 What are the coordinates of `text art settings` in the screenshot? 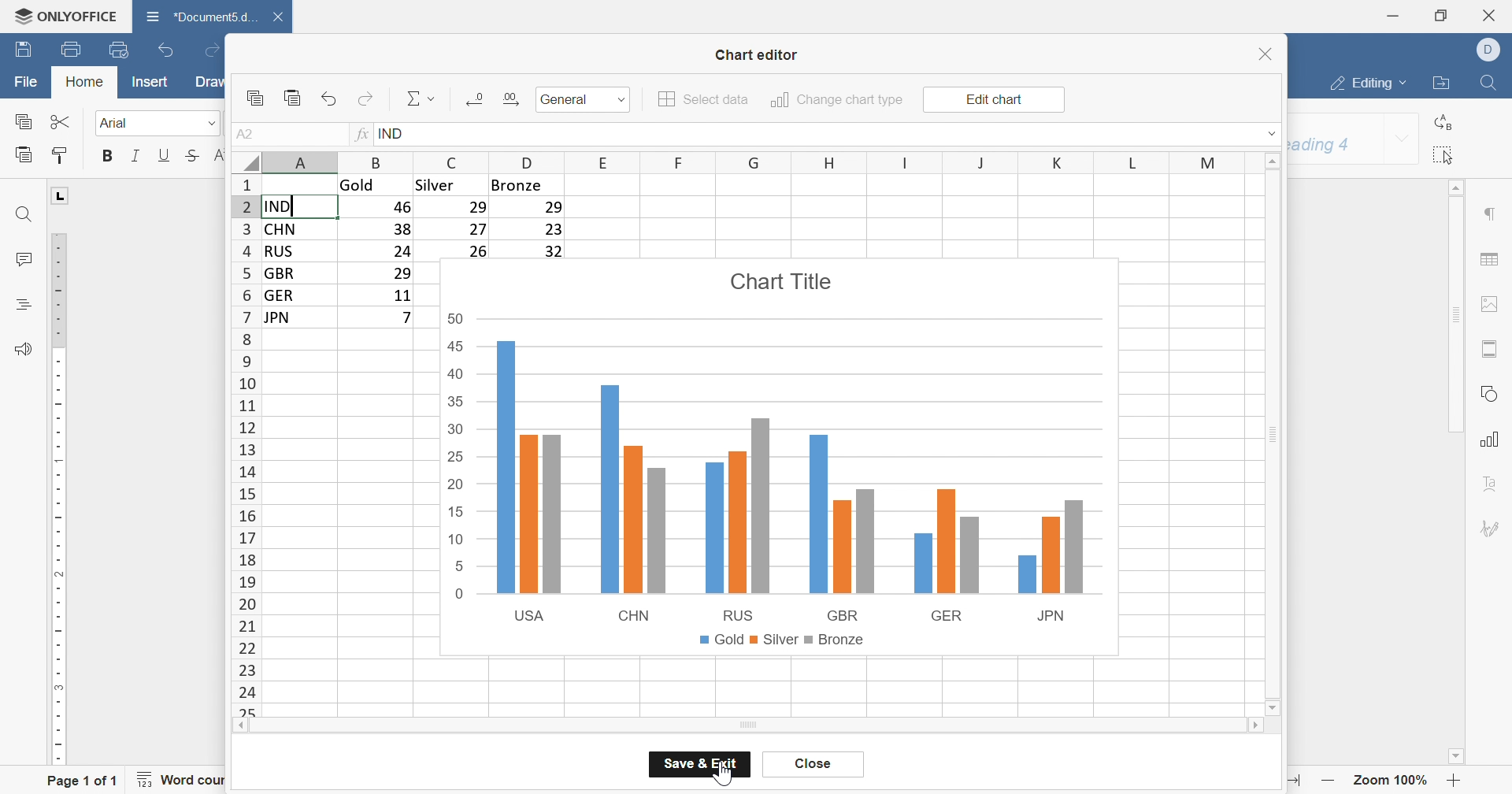 It's located at (1489, 483).